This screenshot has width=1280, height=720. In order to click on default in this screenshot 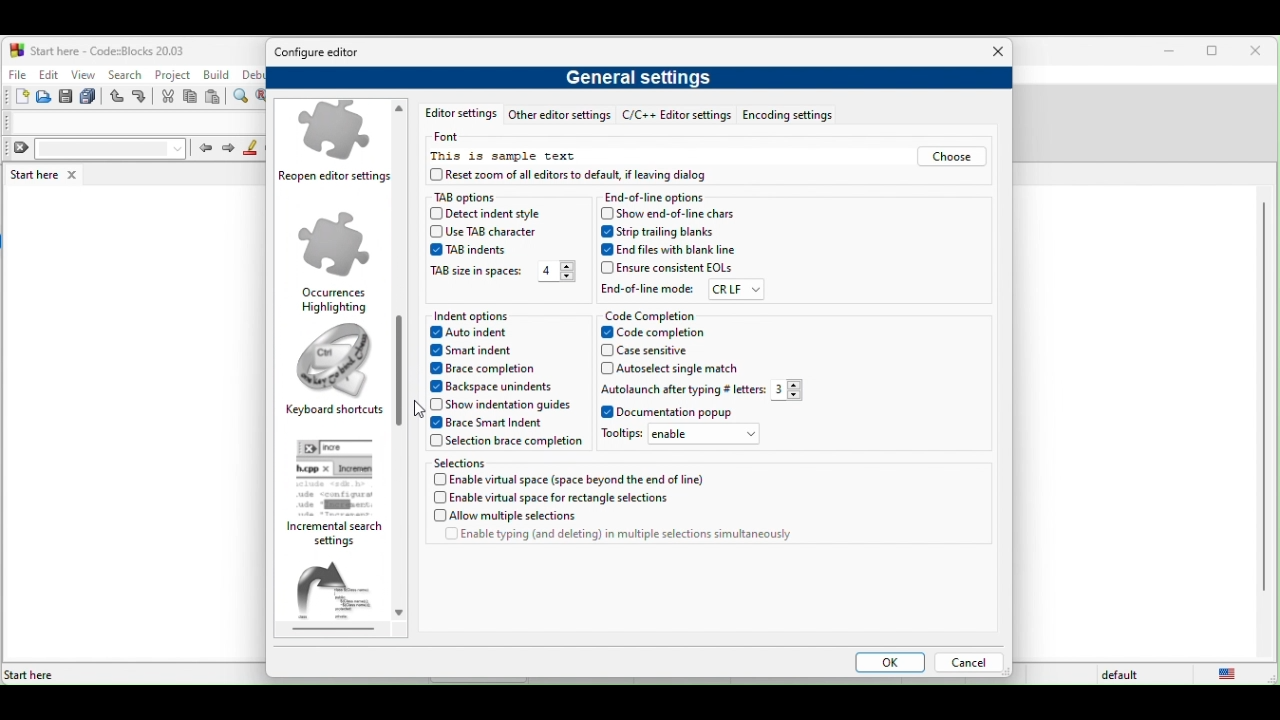, I will do `click(1123, 675)`.